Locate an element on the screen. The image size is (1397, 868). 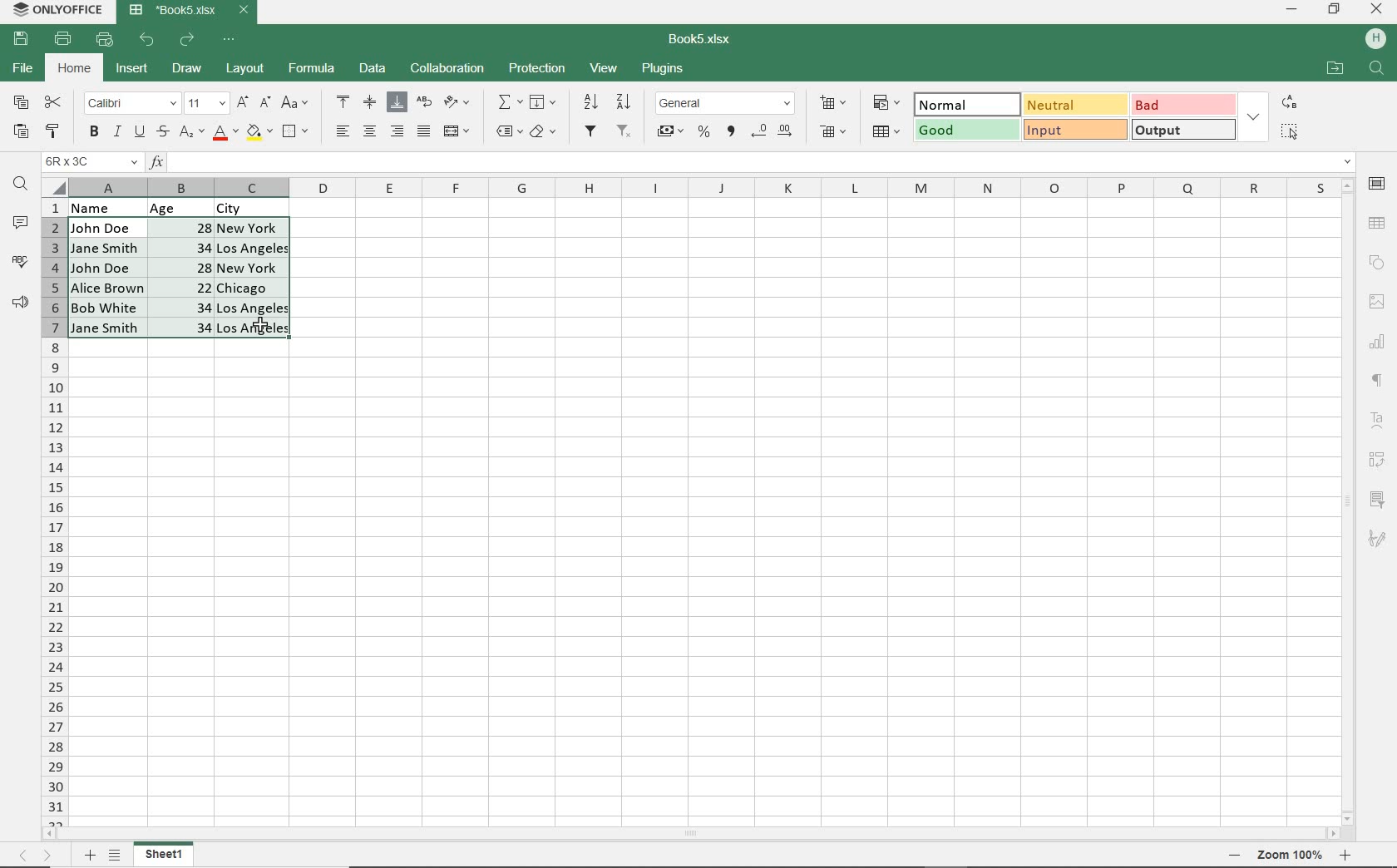
ALIGN LEFT is located at coordinates (341, 132).